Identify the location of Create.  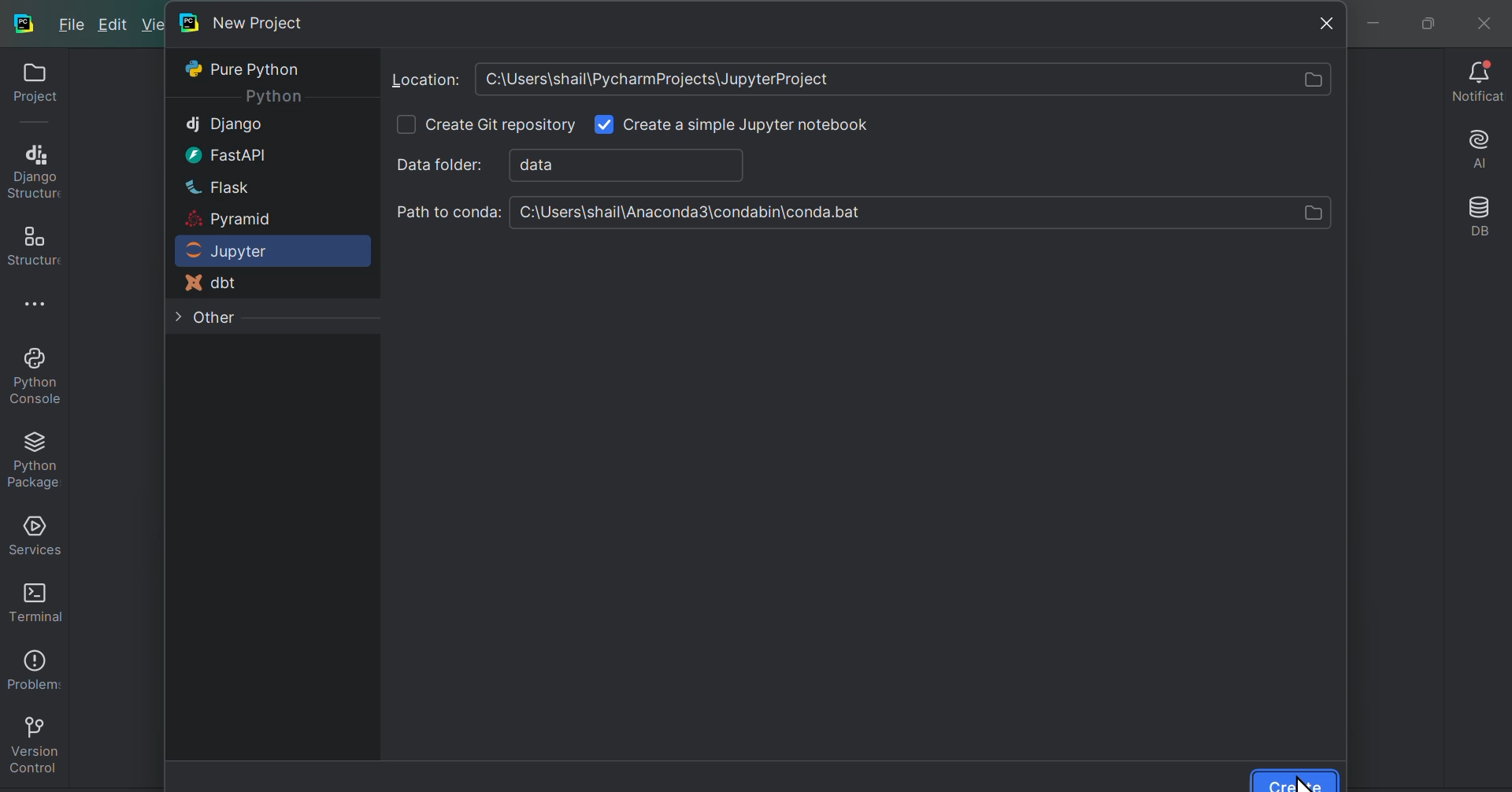
(1296, 780).